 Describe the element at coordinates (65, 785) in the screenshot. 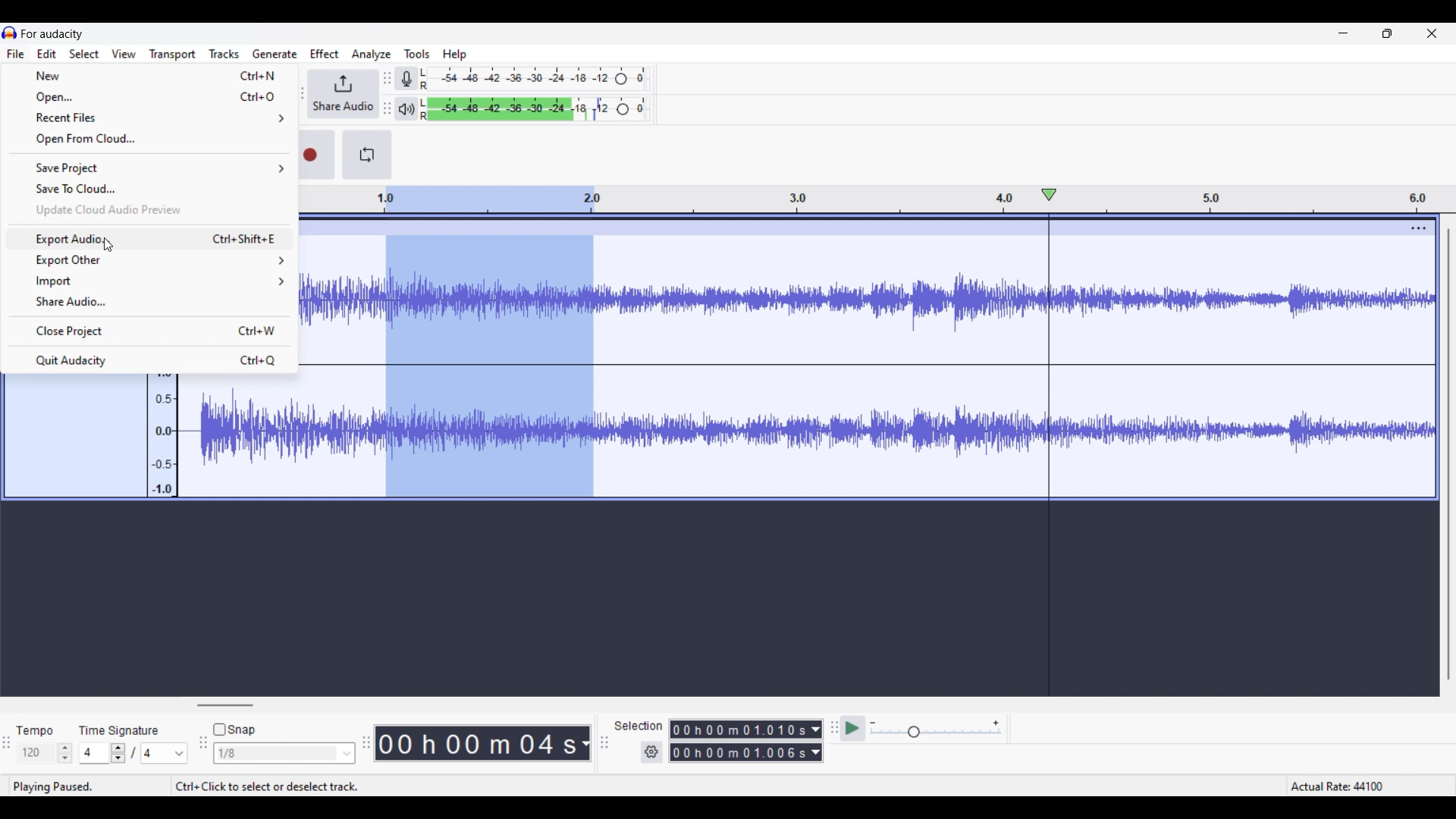

I see `playing paused` at that location.